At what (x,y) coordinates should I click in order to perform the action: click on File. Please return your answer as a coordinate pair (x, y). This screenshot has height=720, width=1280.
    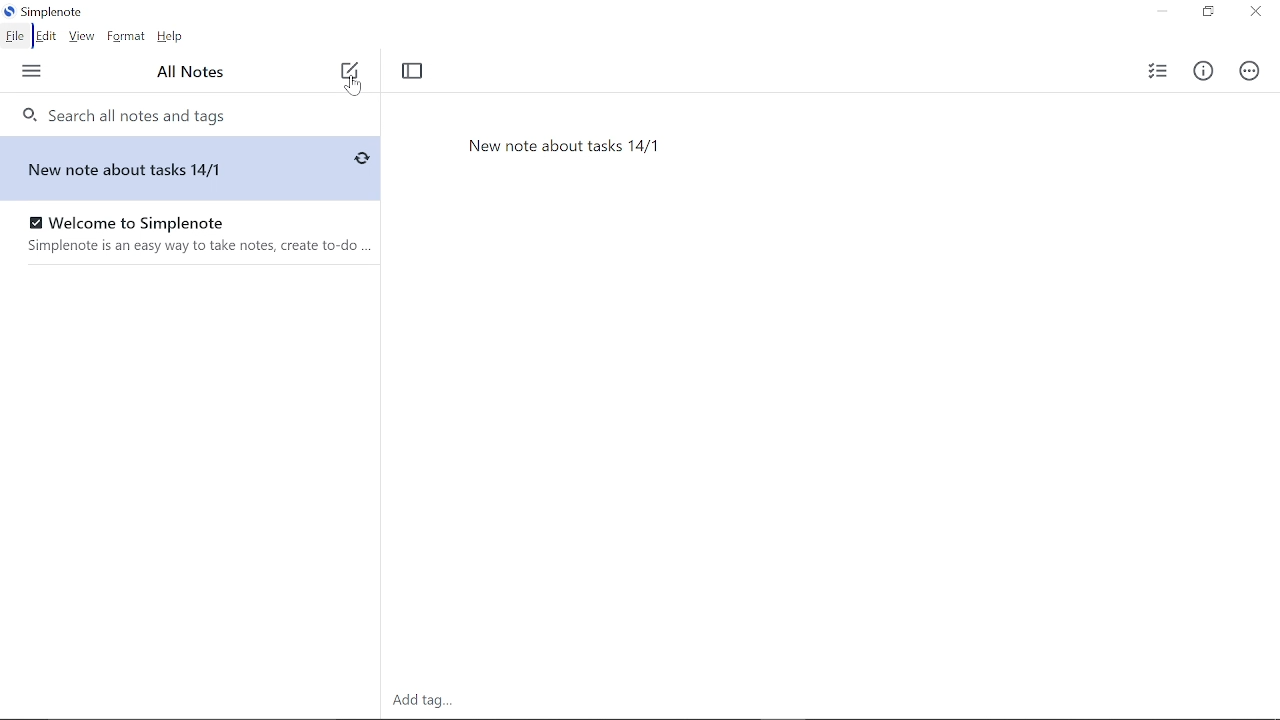
    Looking at the image, I should click on (14, 36).